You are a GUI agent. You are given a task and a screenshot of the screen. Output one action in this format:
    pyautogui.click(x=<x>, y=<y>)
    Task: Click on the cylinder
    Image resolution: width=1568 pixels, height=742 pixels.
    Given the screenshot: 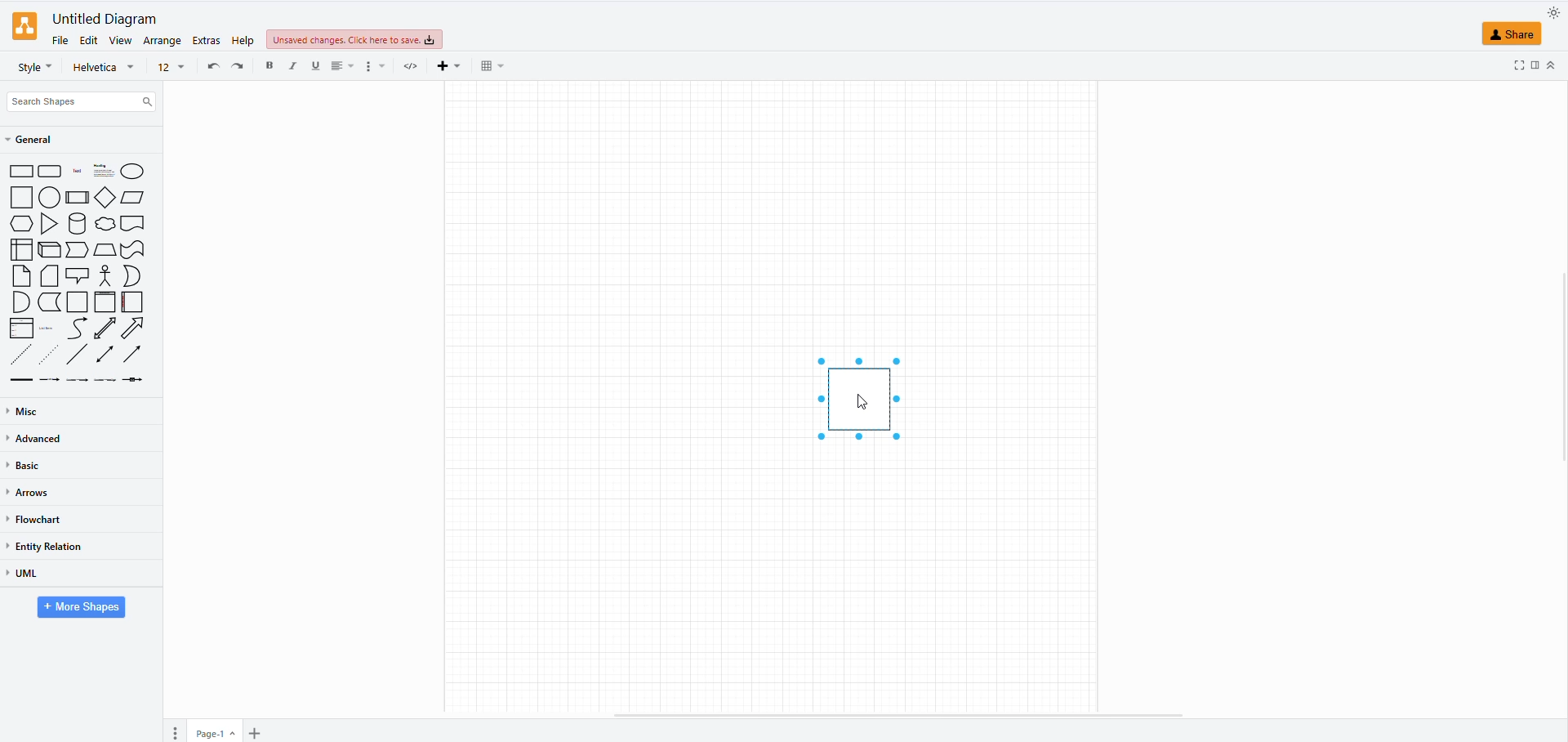 What is the action you would take?
    pyautogui.click(x=78, y=226)
    